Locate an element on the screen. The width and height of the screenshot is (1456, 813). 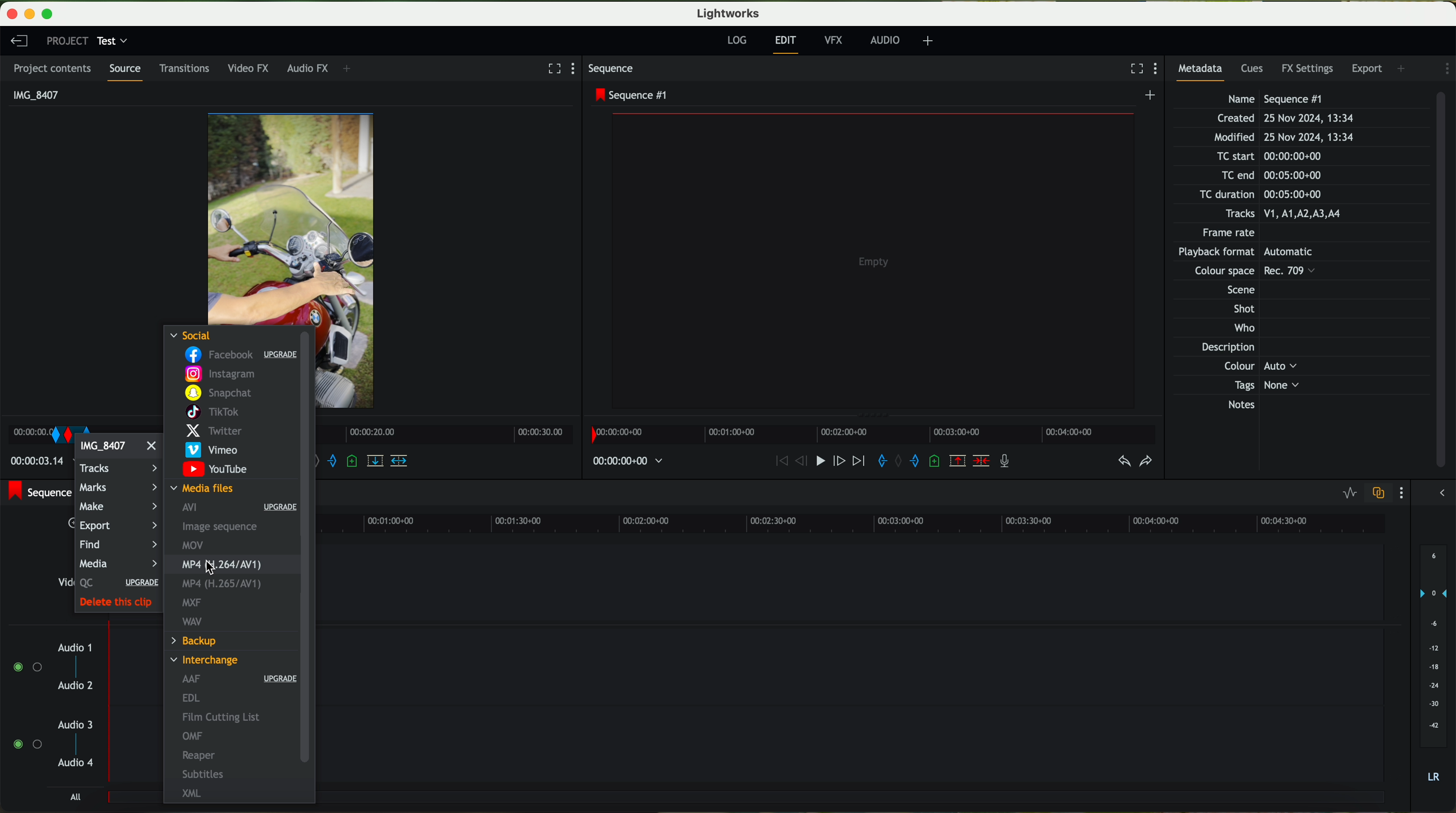
minimize is located at coordinates (27, 12).